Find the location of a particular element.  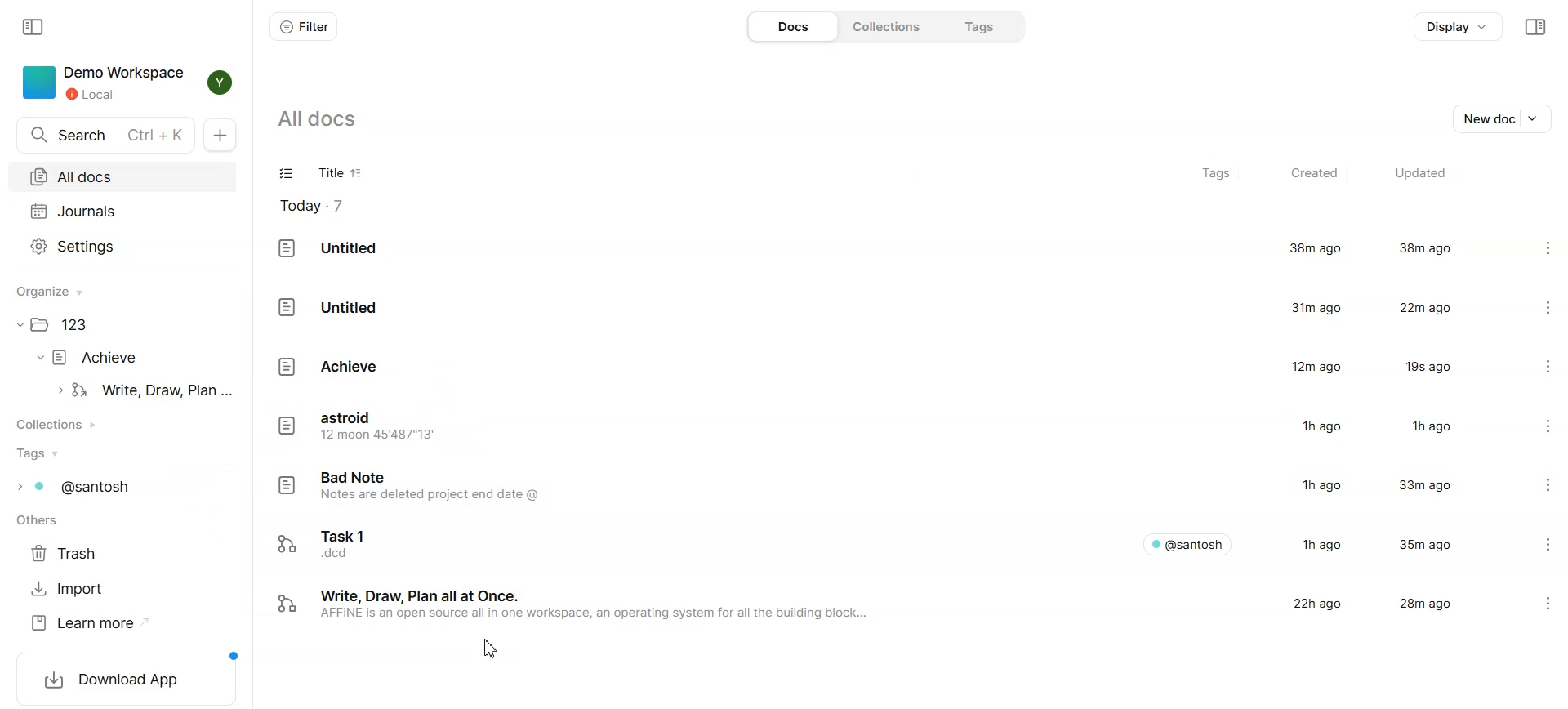

Collapse sidebar is located at coordinates (35, 25).